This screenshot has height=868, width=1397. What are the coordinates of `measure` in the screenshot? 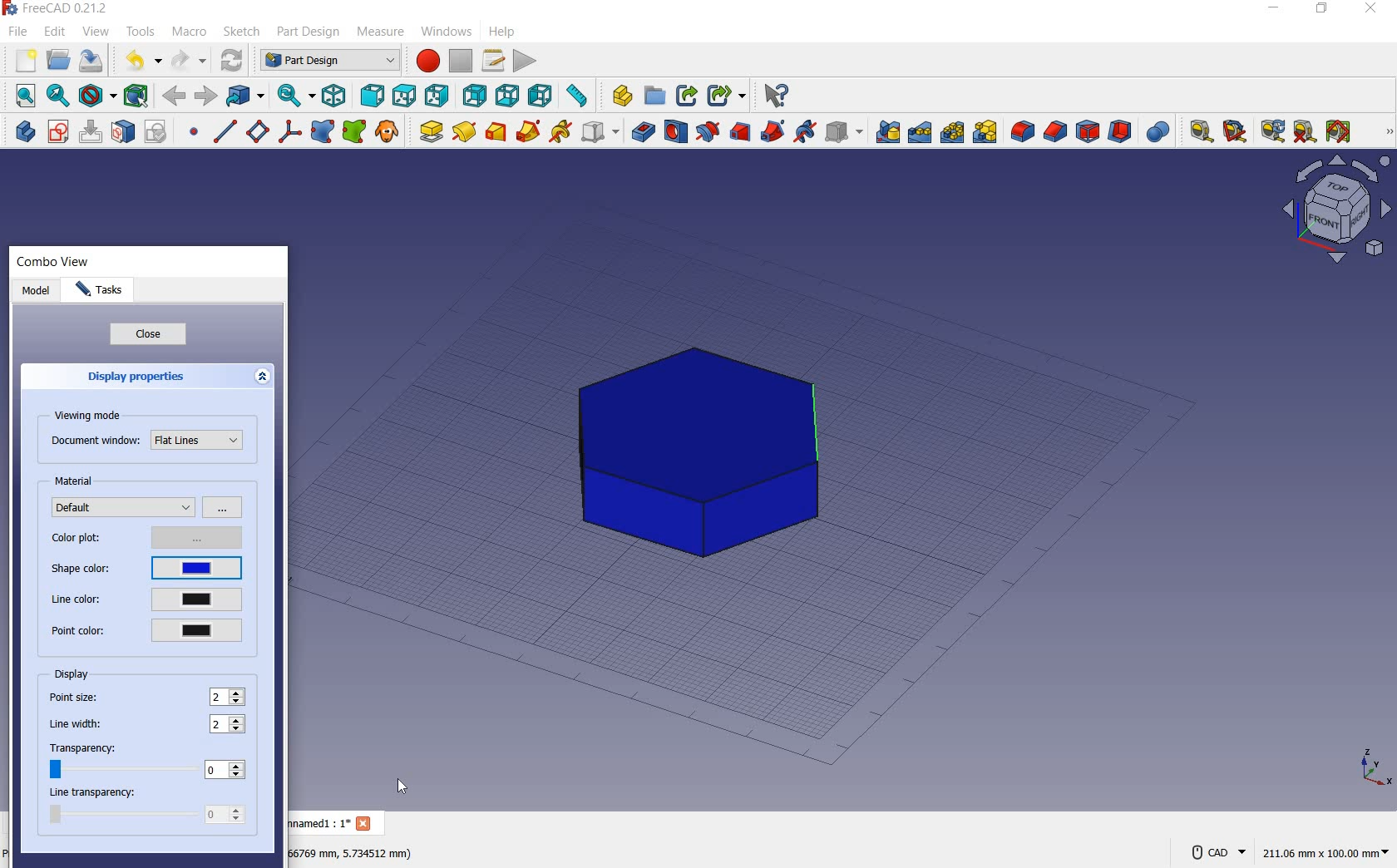 It's located at (382, 31).